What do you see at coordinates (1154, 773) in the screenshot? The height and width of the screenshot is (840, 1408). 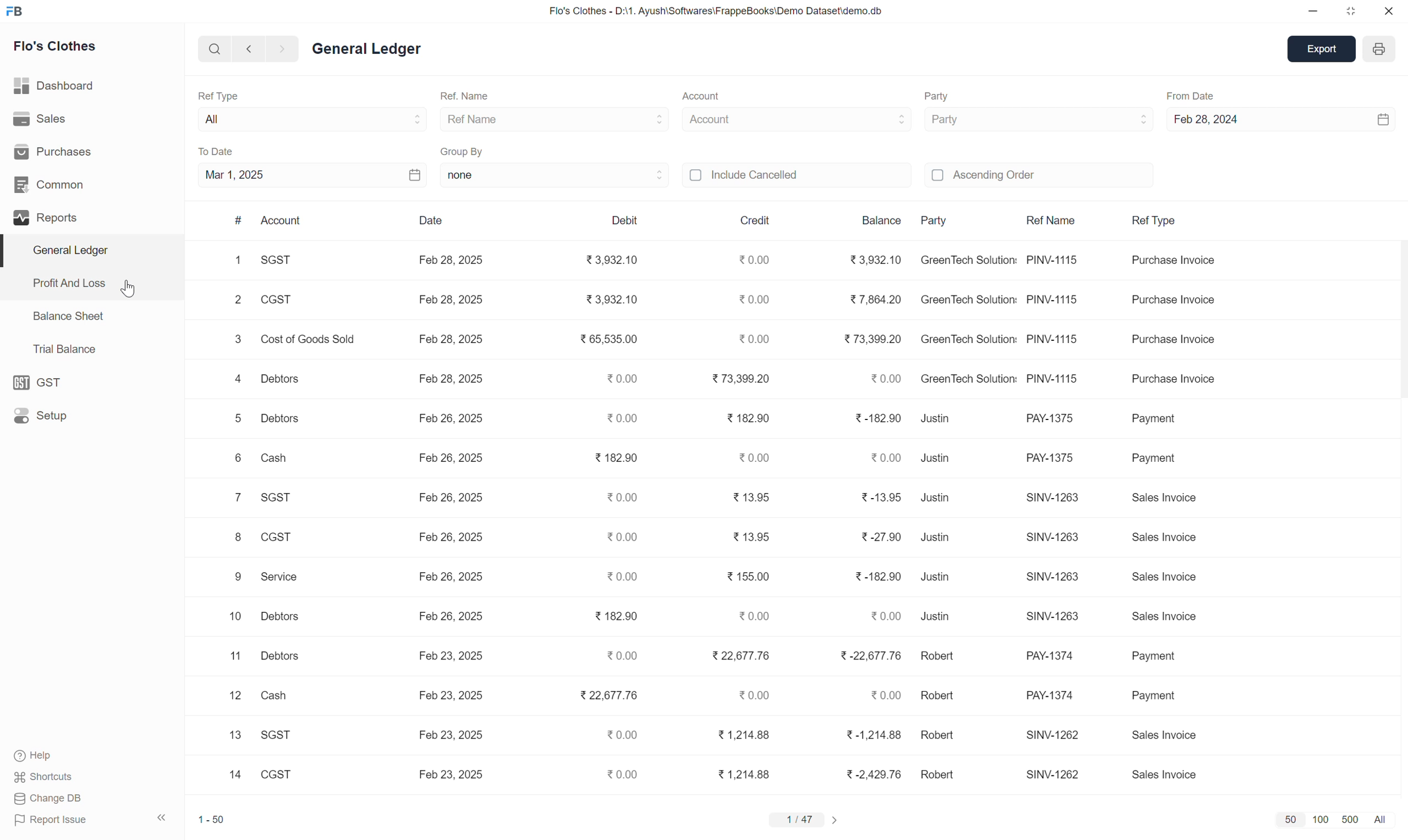 I see `Sales Invoice` at bounding box center [1154, 773].